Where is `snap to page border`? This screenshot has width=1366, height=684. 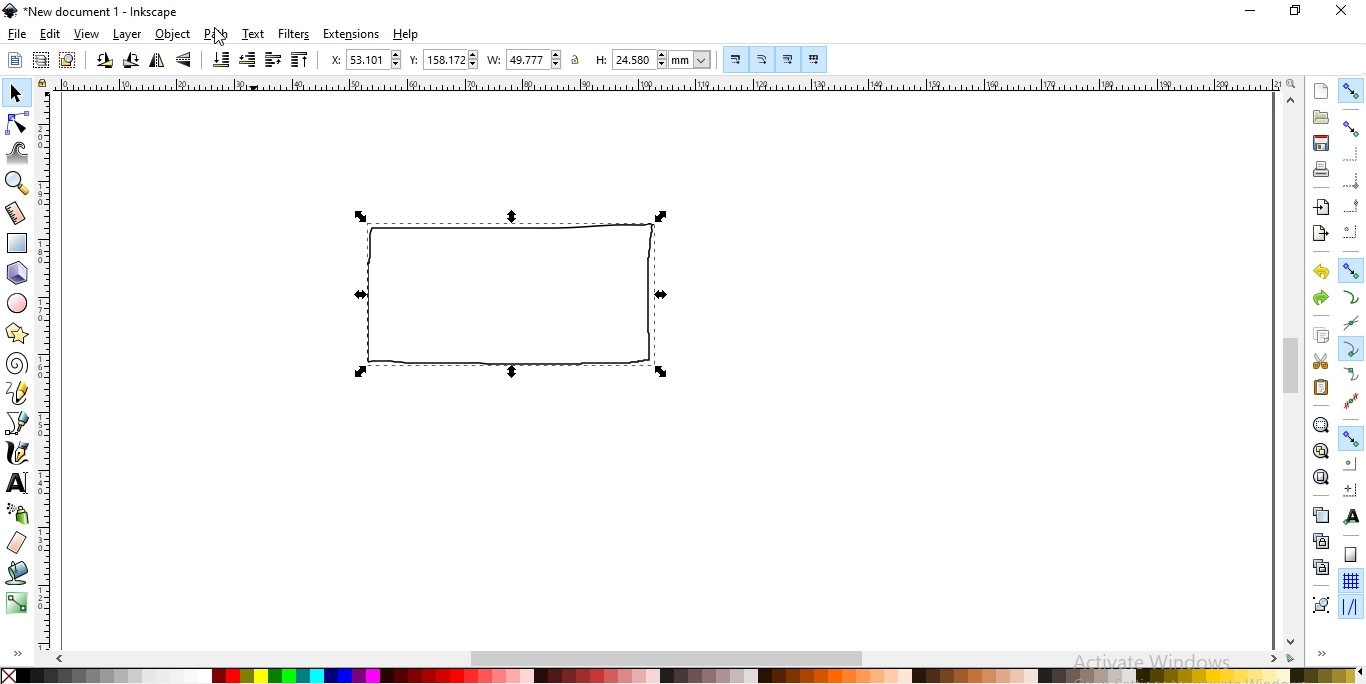 snap to page border is located at coordinates (1351, 554).